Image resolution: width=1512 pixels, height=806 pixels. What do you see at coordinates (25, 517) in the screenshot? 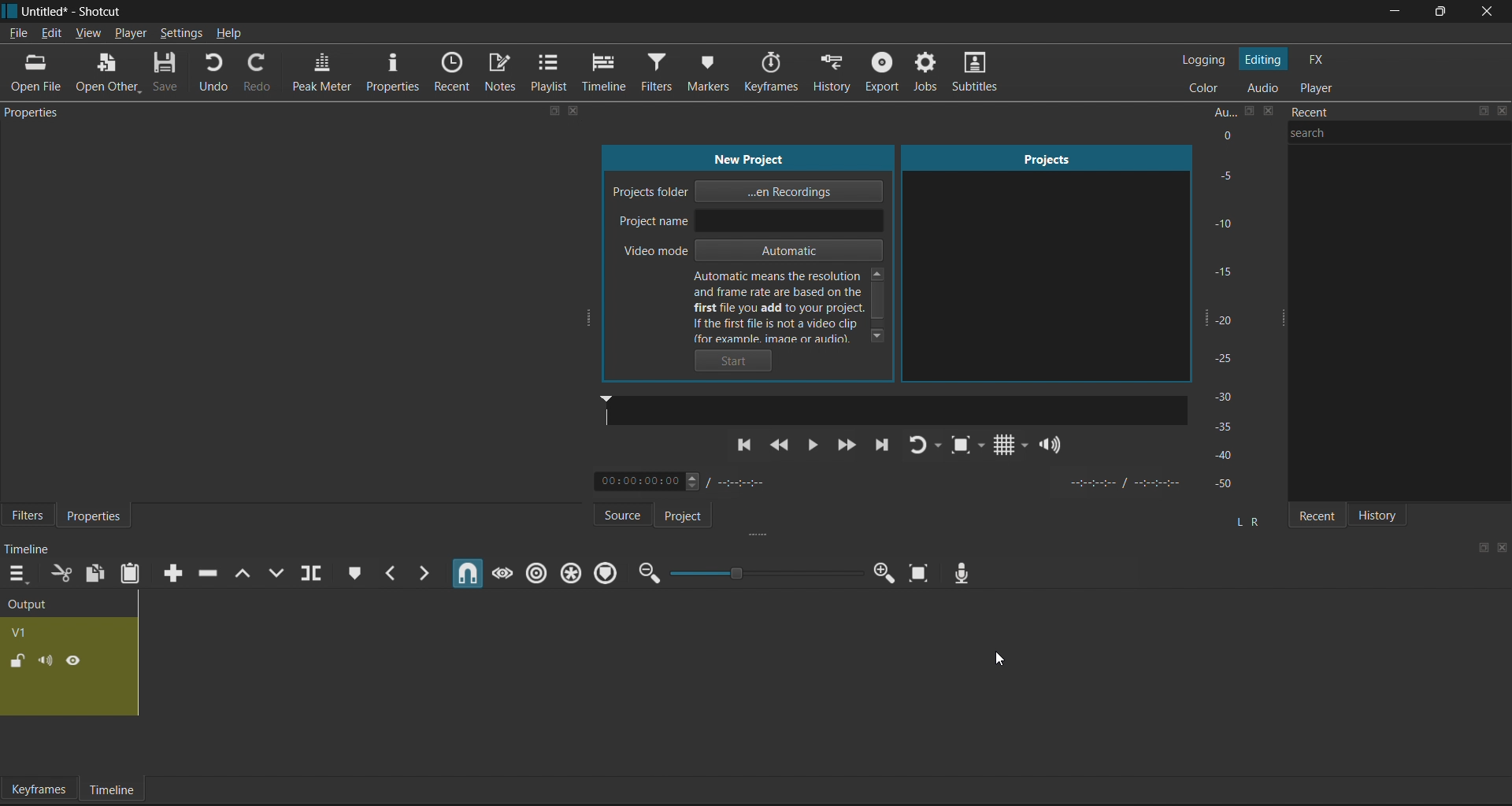
I see `Filters` at bounding box center [25, 517].